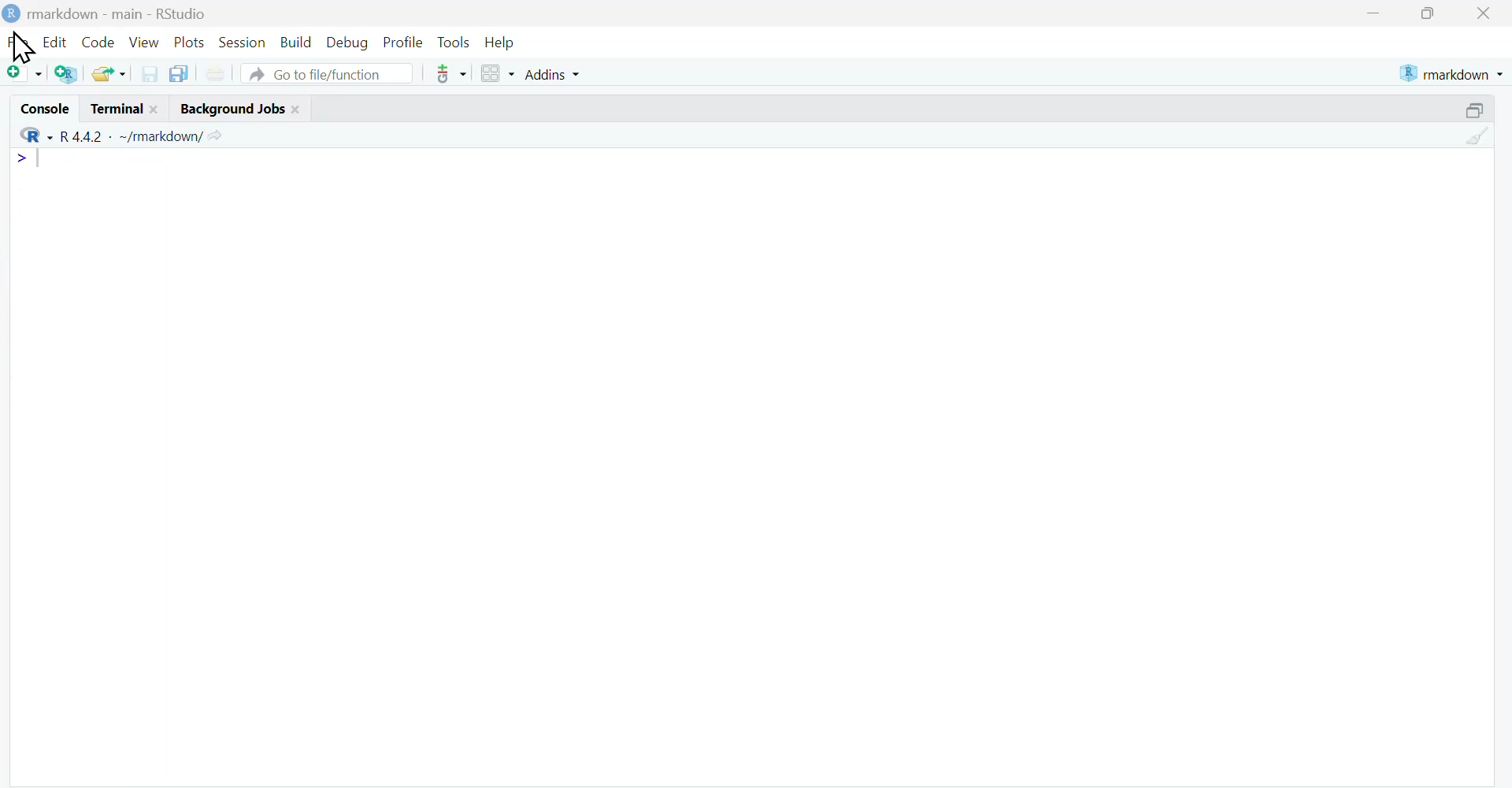  I want to click on Build, so click(295, 43).